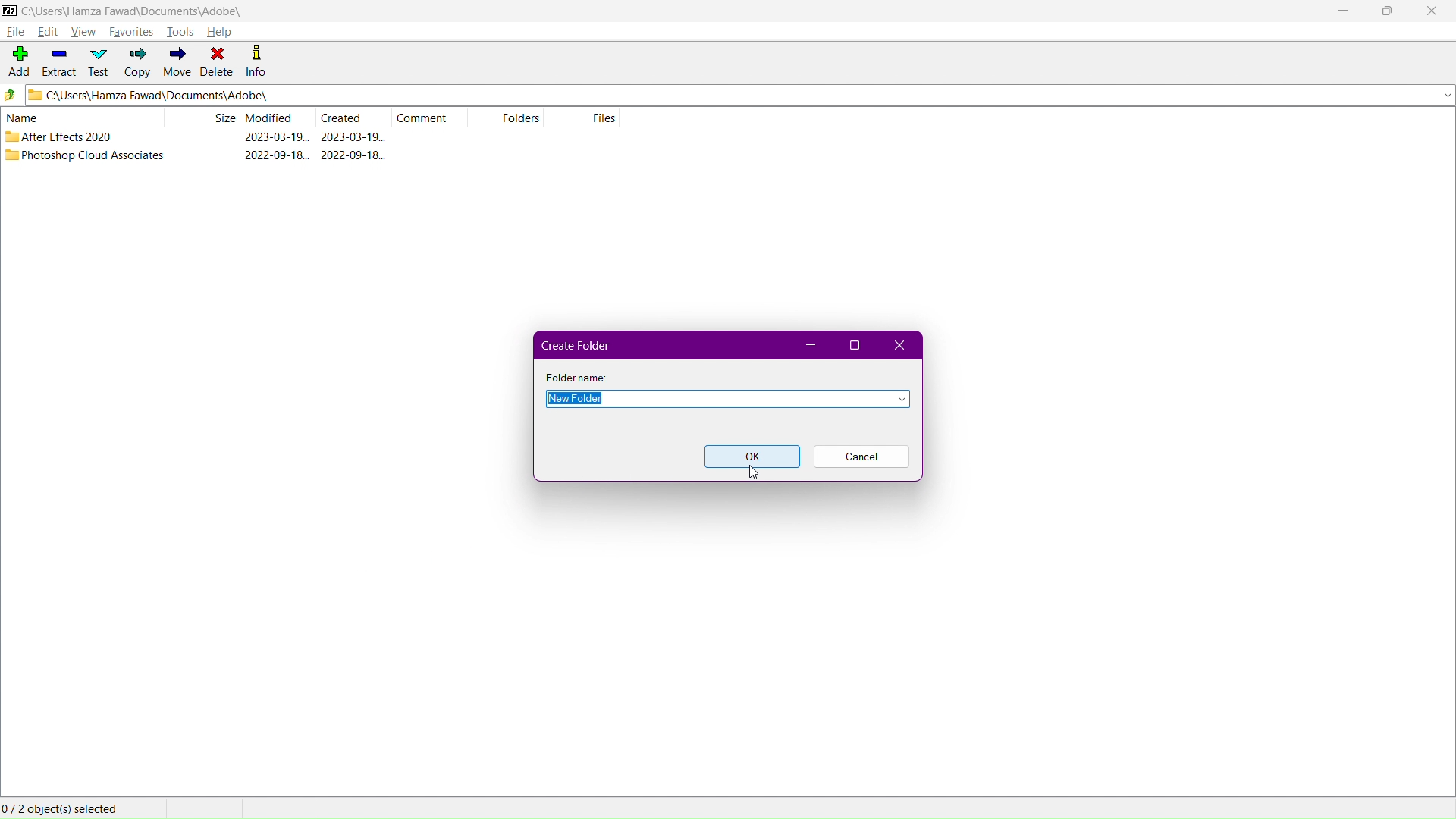 This screenshot has width=1456, height=819. What do you see at coordinates (585, 118) in the screenshot?
I see `Files` at bounding box center [585, 118].